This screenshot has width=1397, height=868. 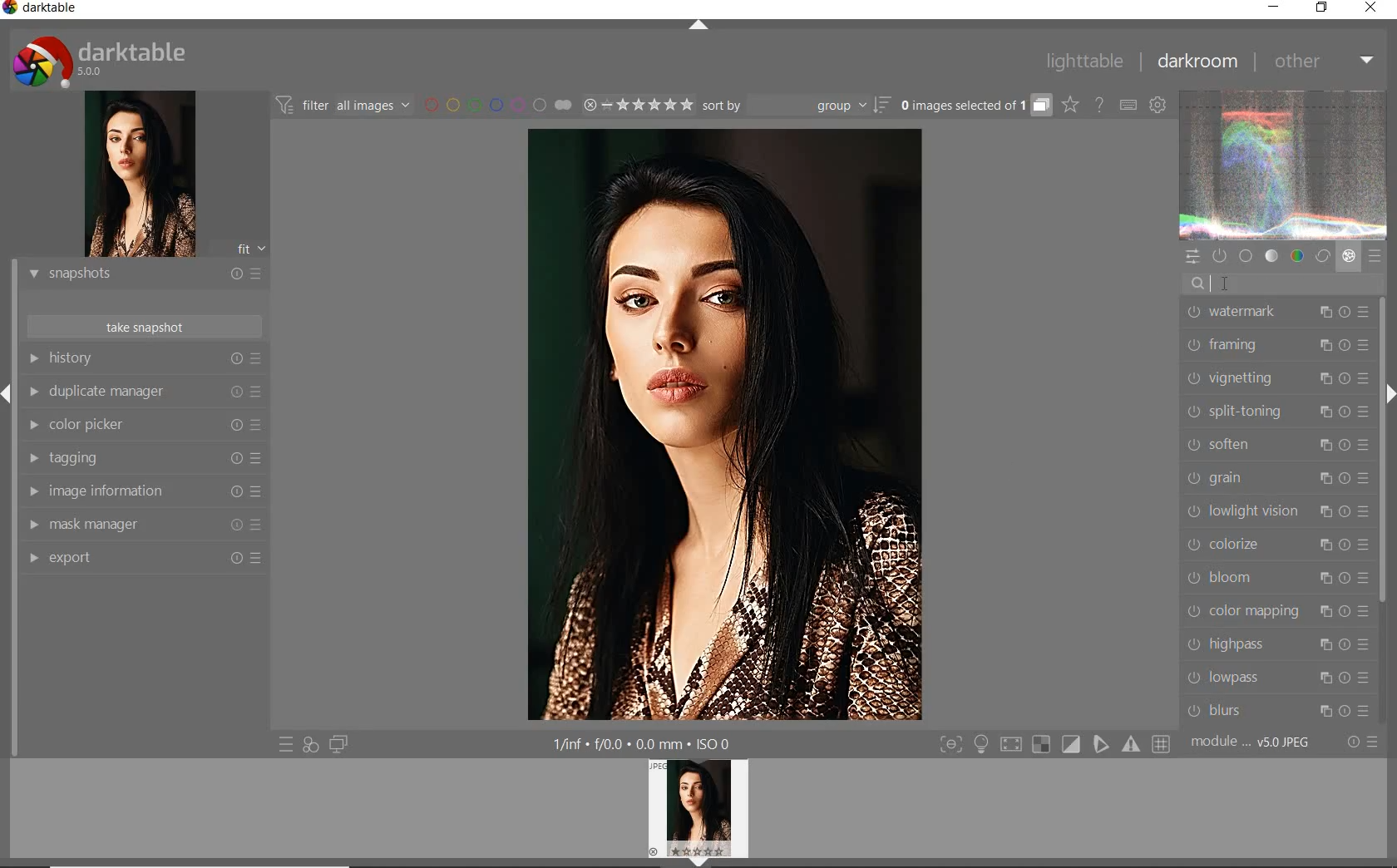 I want to click on BLOOM, so click(x=1274, y=578).